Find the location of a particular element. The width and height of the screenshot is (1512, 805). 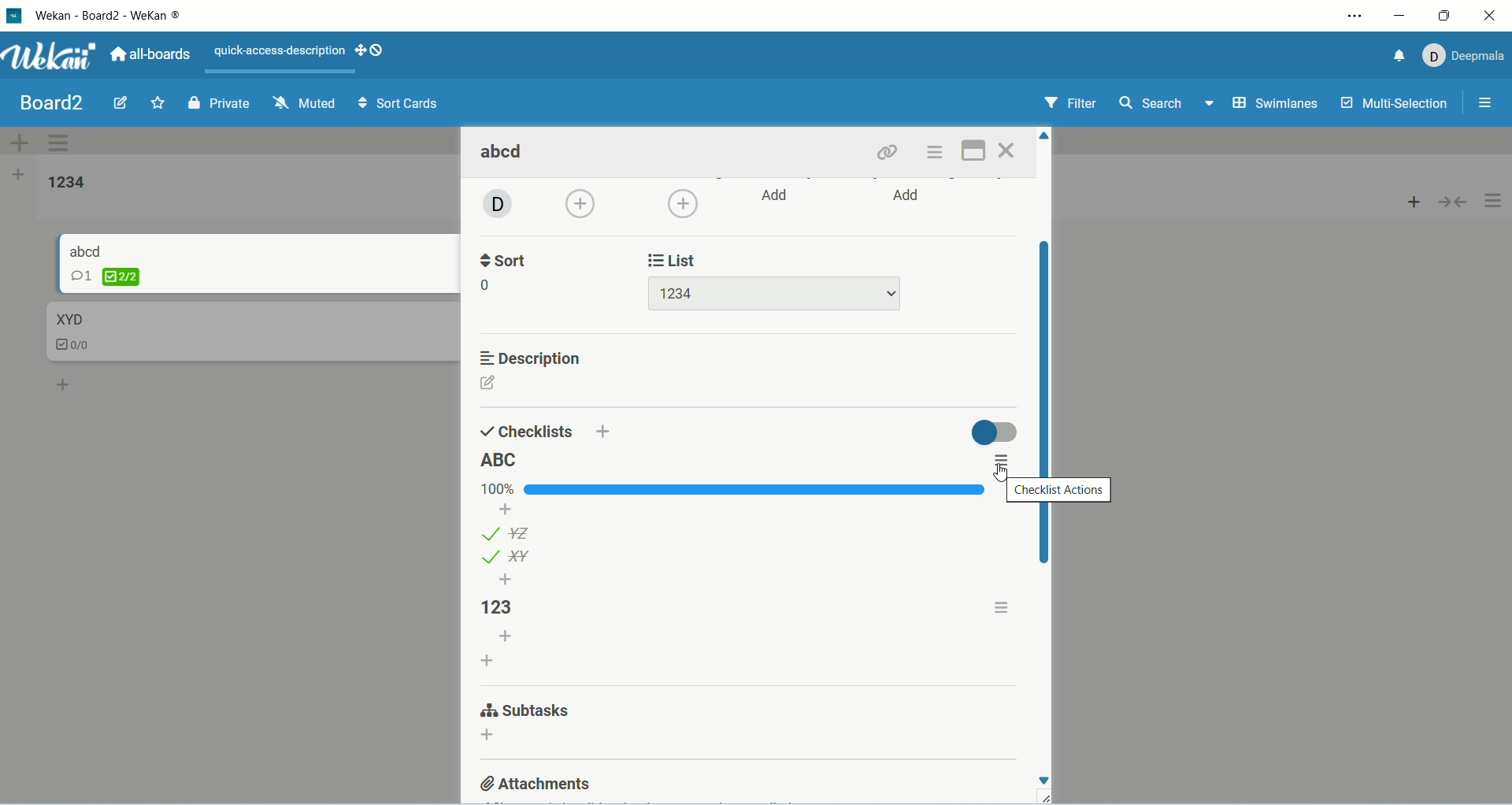

progress is located at coordinates (728, 490).